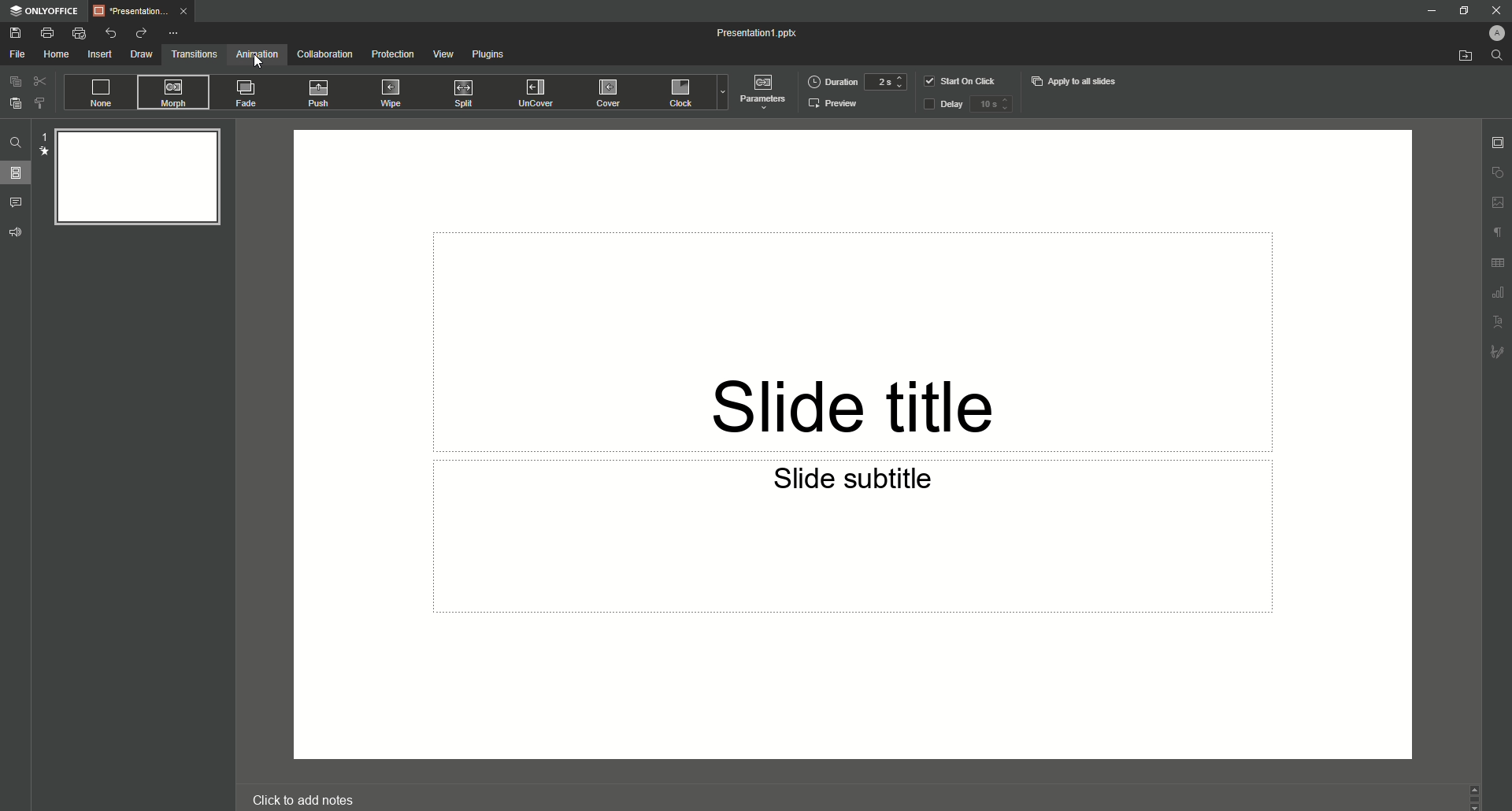 This screenshot has width=1512, height=811. I want to click on Start on click, so click(963, 81).